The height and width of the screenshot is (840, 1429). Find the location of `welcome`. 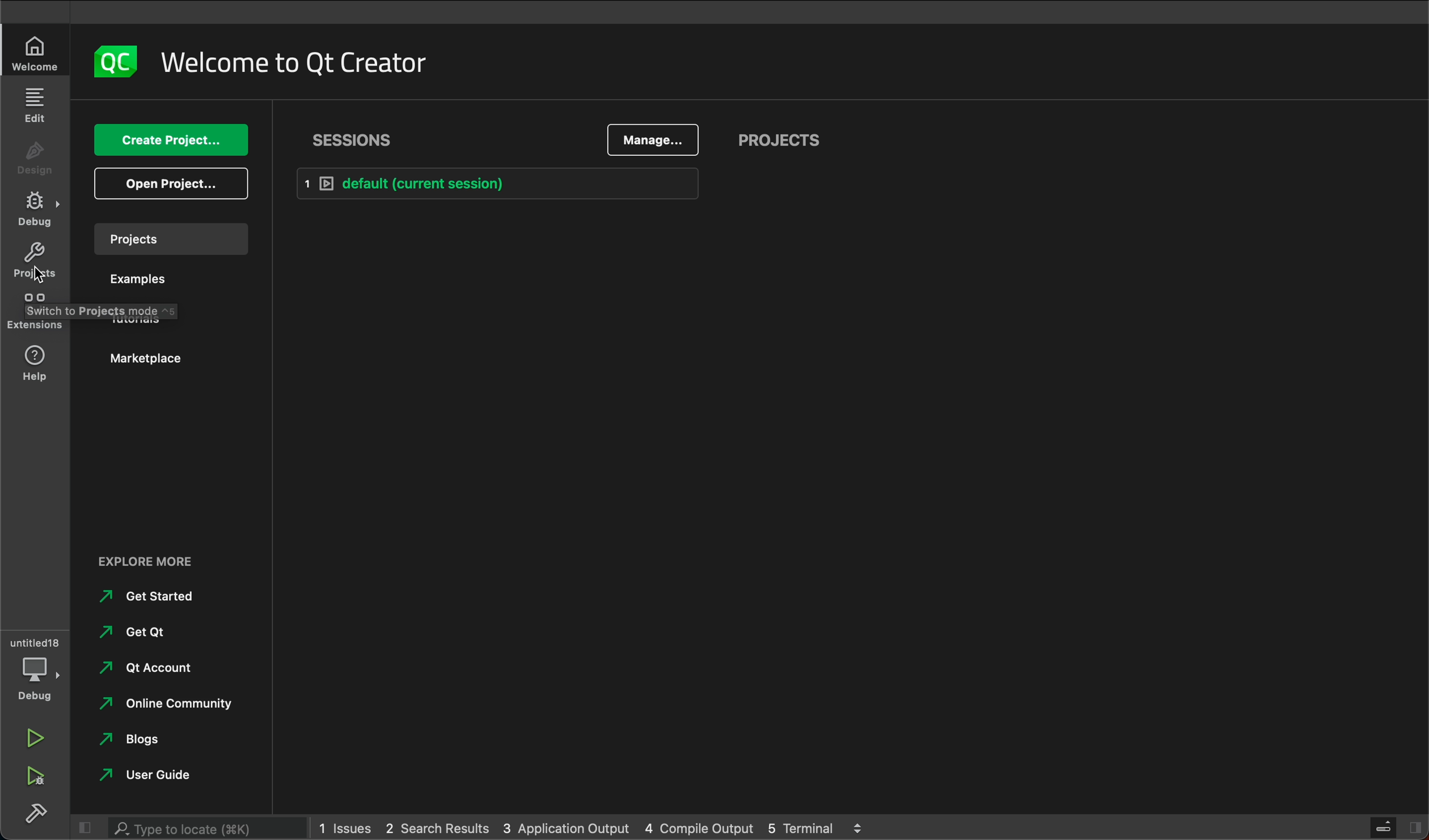

welcome is located at coordinates (35, 53).